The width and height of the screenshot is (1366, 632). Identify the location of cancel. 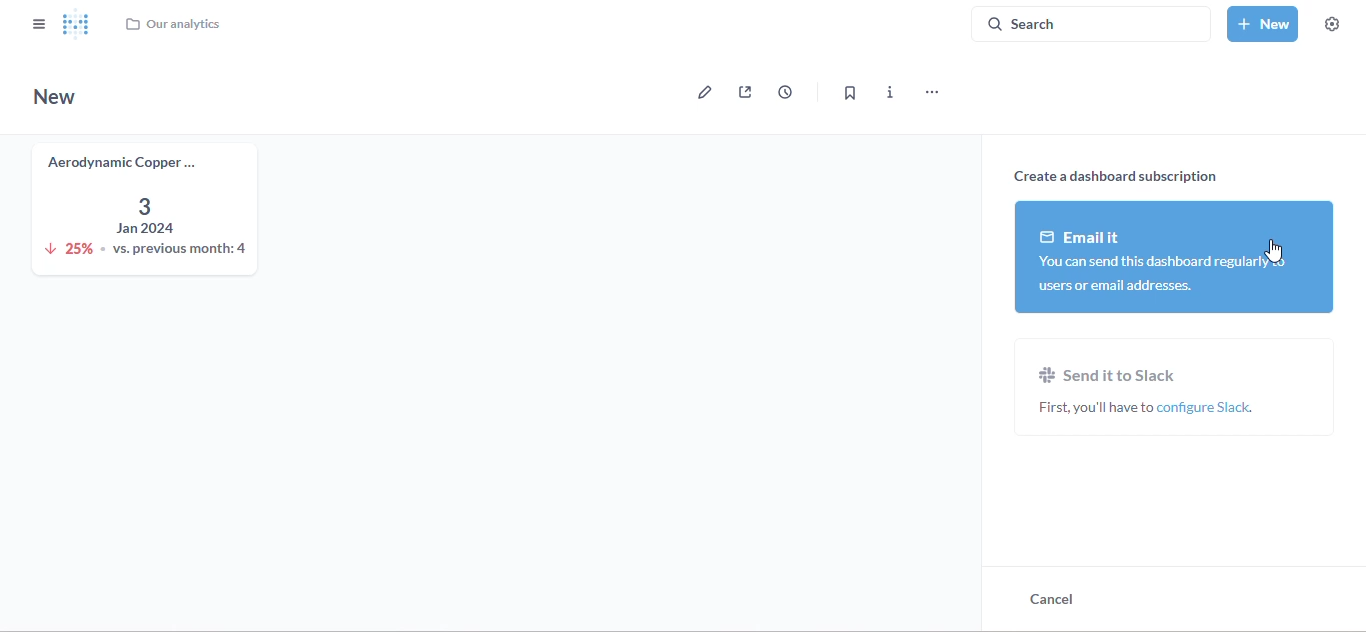
(1054, 599).